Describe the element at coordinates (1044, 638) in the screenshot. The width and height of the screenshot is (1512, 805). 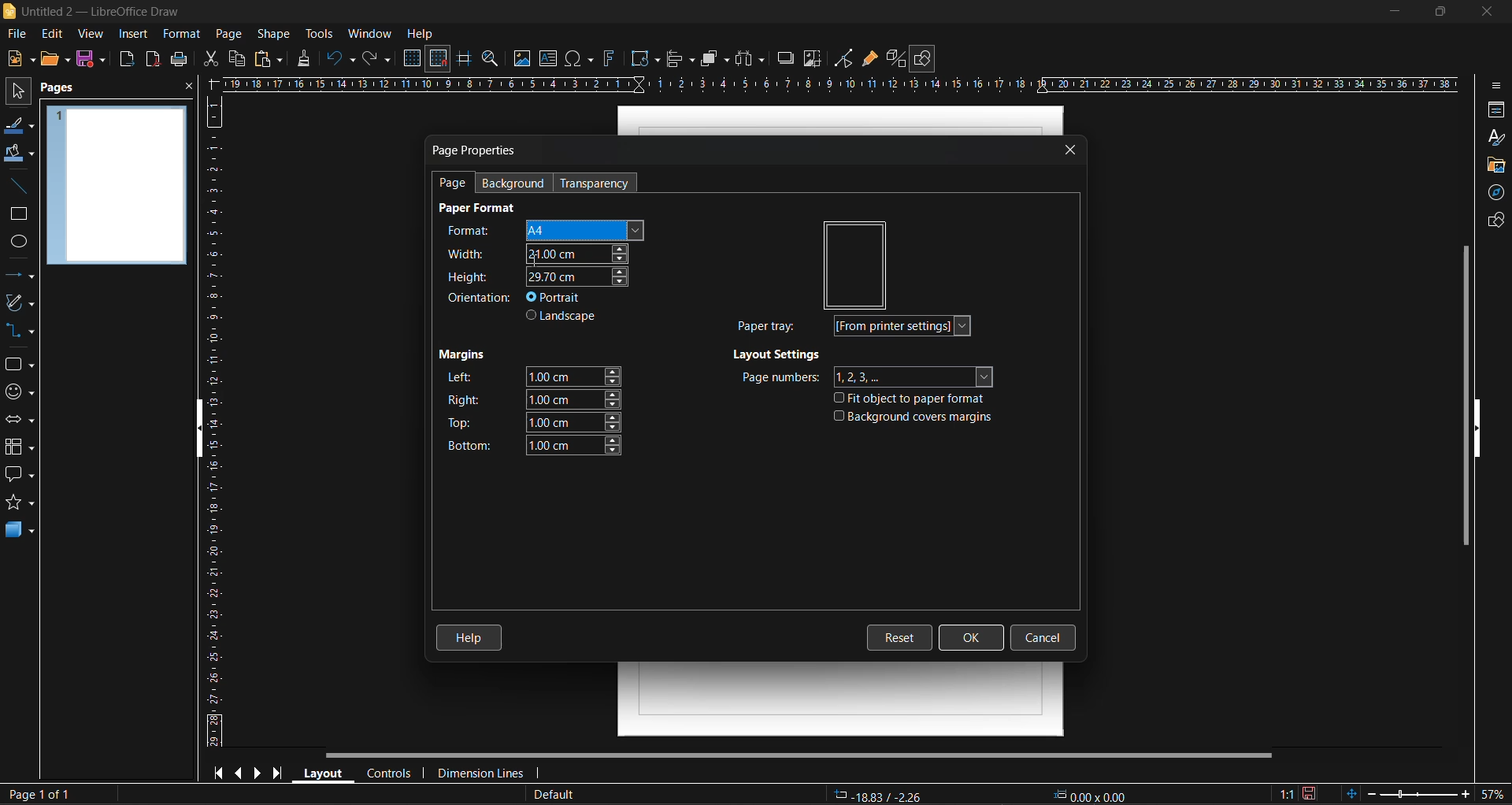
I see `cancel` at that location.